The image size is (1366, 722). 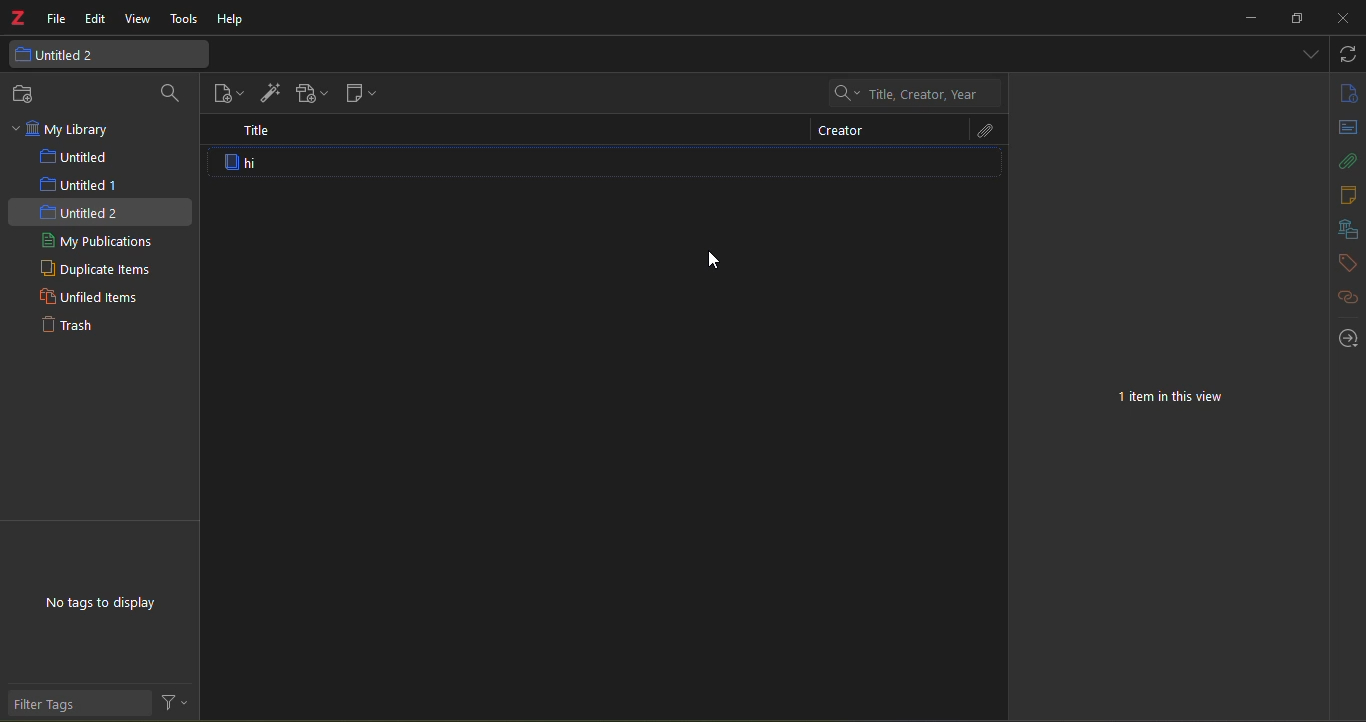 I want to click on filter tags, so click(x=79, y=703).